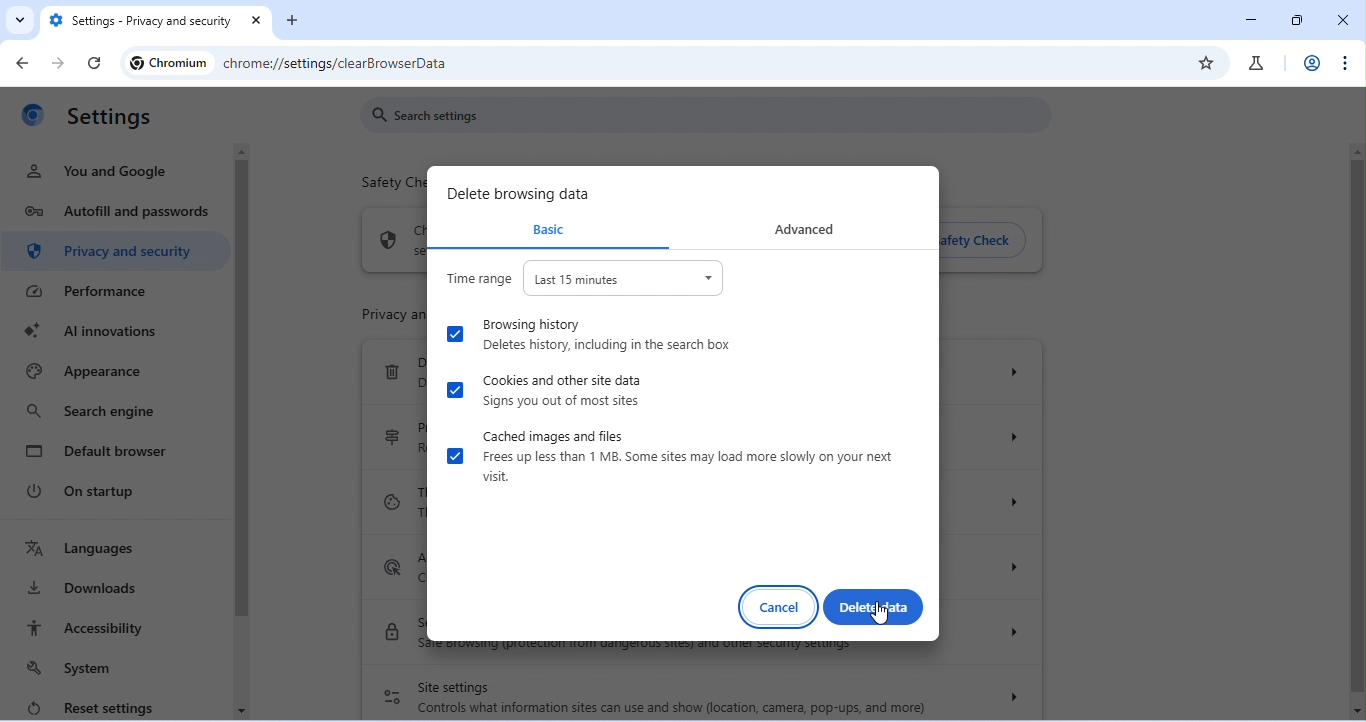  I want to click on maximize, so click(1298, 20).